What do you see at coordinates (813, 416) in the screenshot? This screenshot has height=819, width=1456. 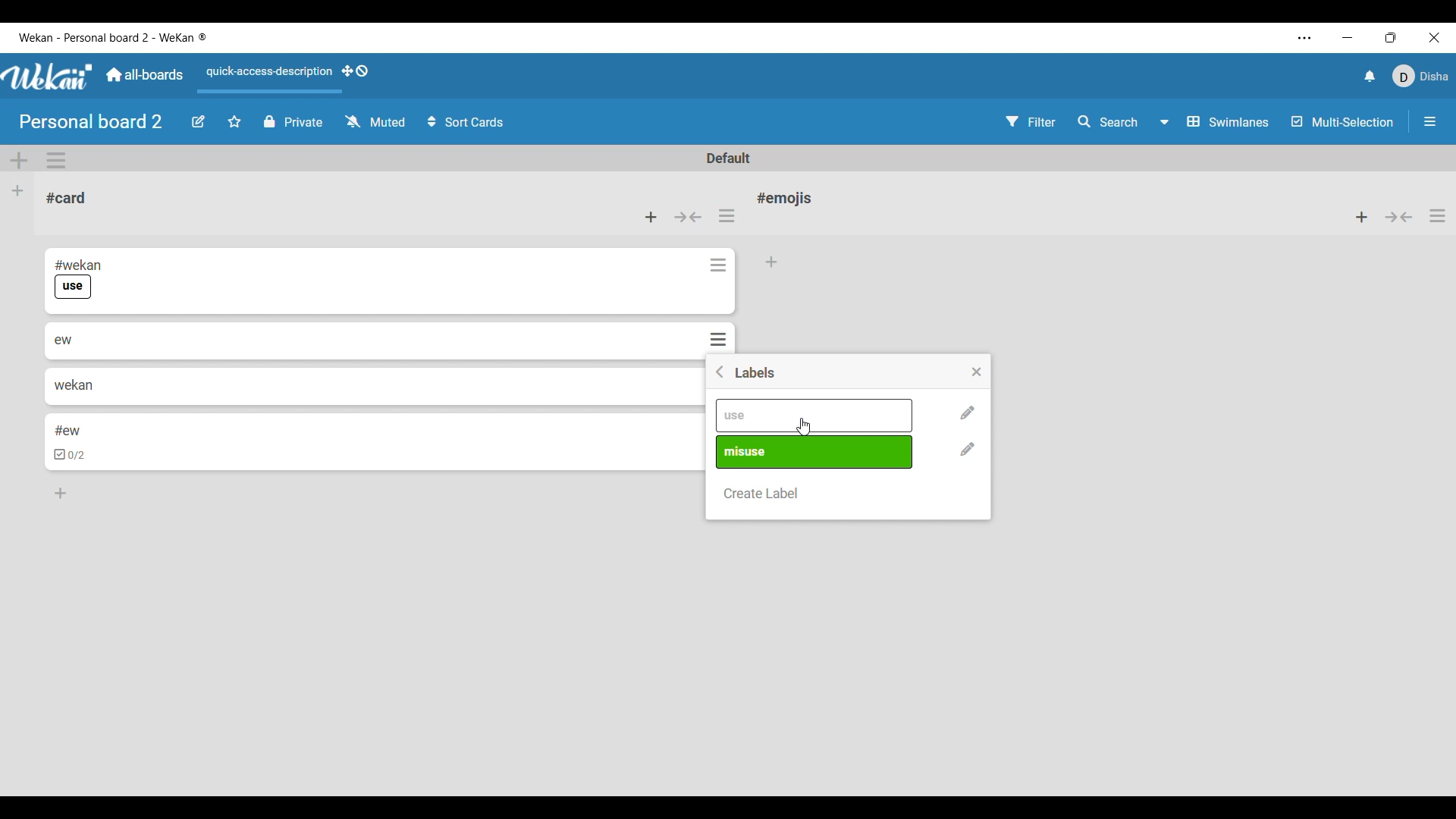 I see `Pre-existing labels differentiated by name and color` at bounding box center [813, 416].